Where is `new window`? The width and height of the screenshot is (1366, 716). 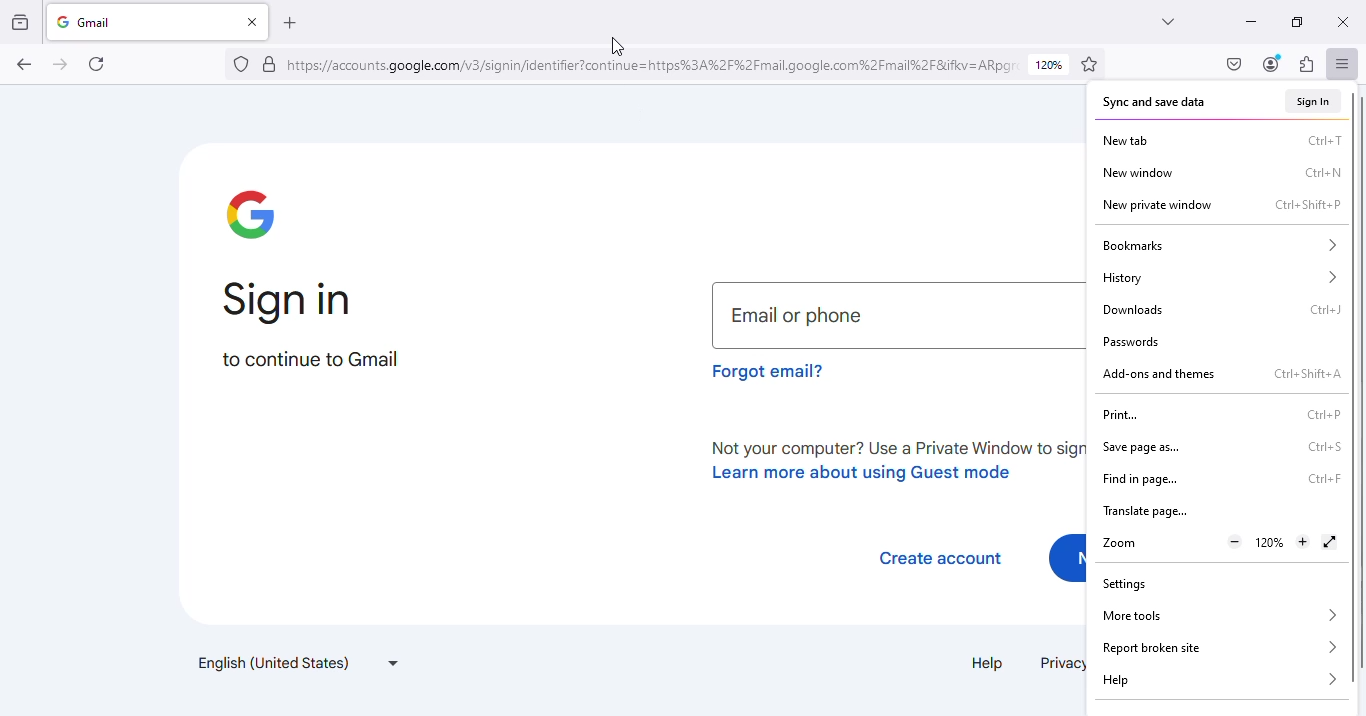
new window is located at coordinates (1140, 172).